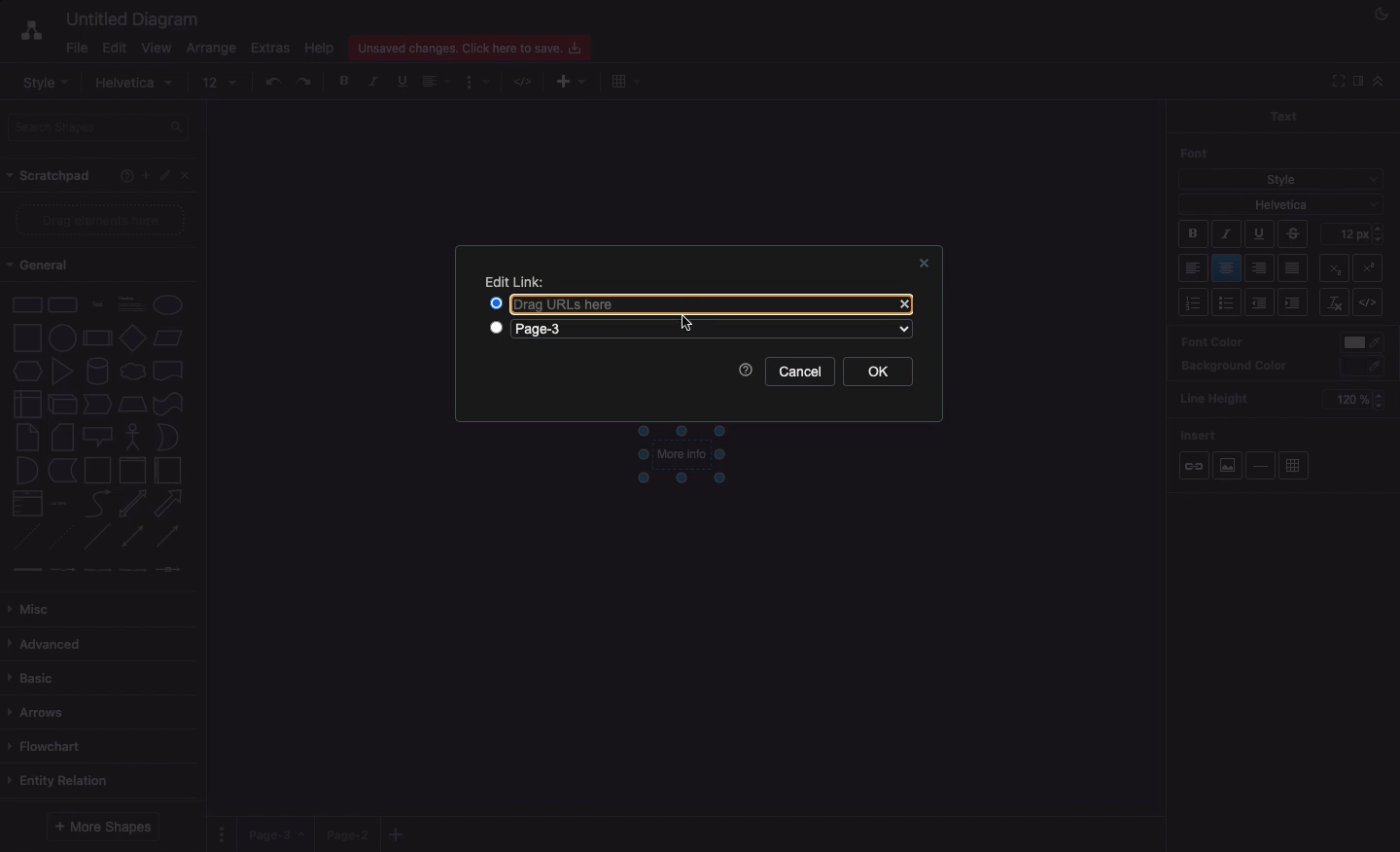 This screenshot has width=1400, height=852. What do you see at coordinates (1333, 266) in the screenshot?
I see `Superscript ` at bounding box center [1333, 266].